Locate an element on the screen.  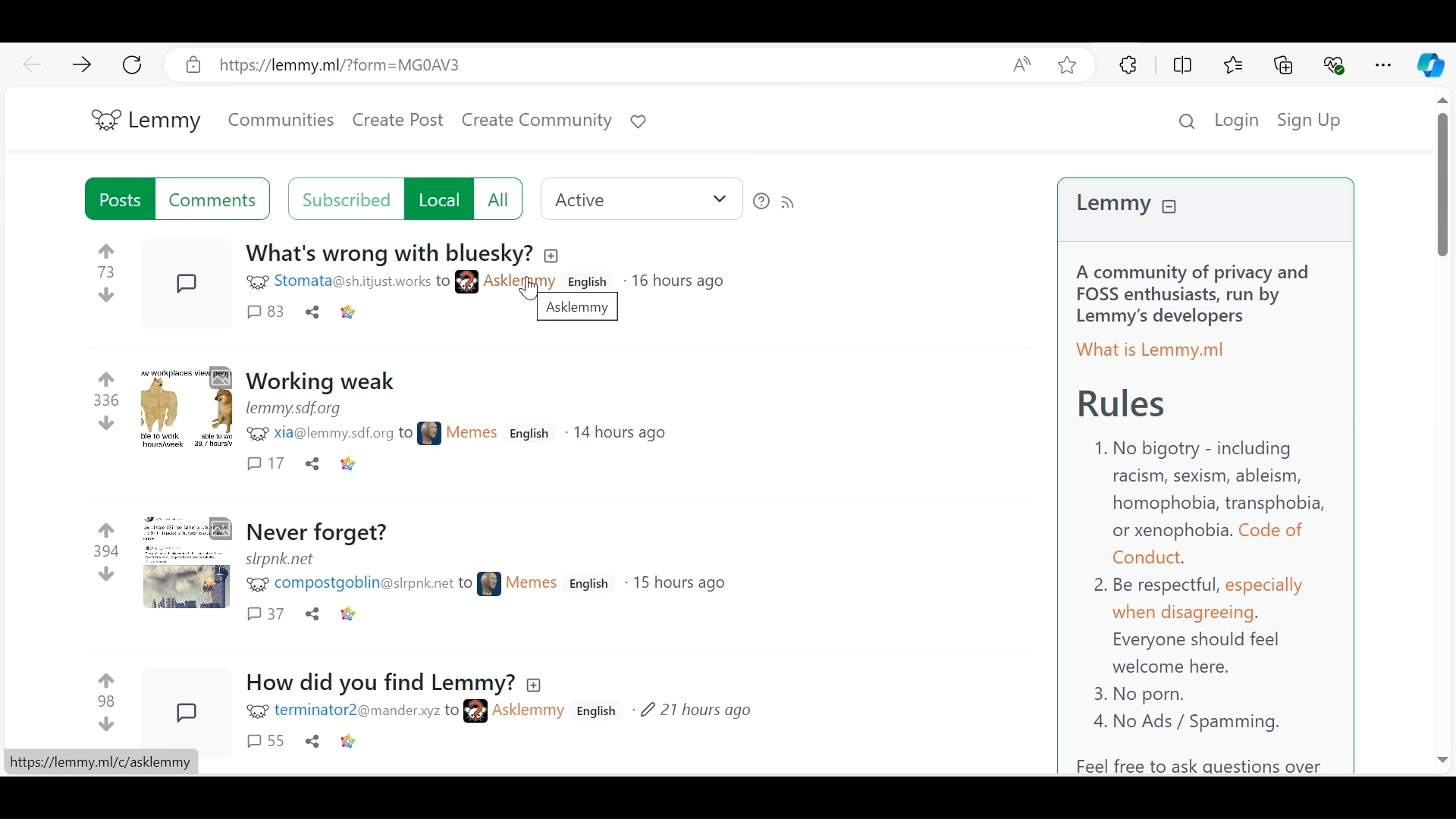
 is located at coordinates (1439, 756).